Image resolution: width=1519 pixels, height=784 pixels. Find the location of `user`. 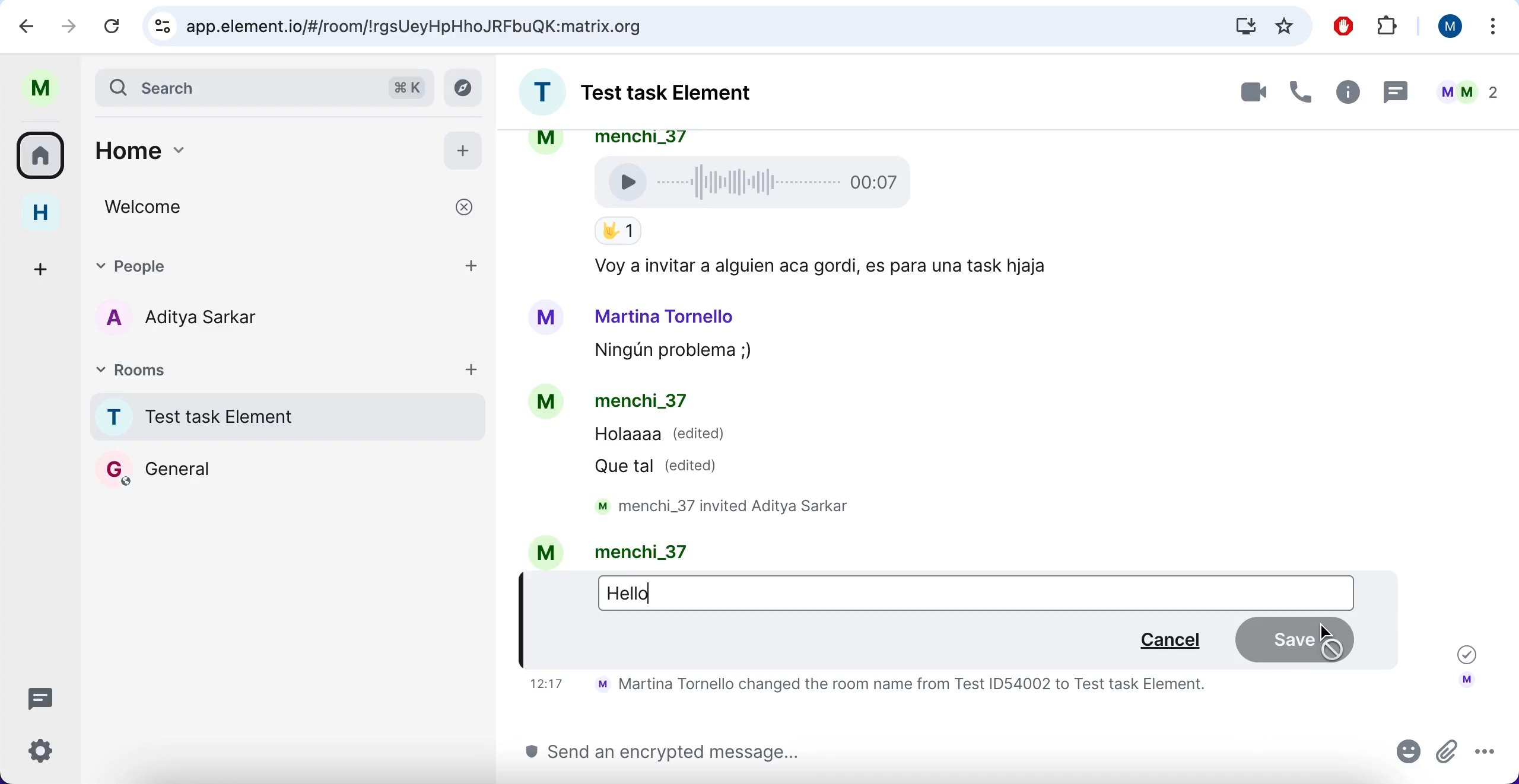

user is located at coordinates (1448, 27).